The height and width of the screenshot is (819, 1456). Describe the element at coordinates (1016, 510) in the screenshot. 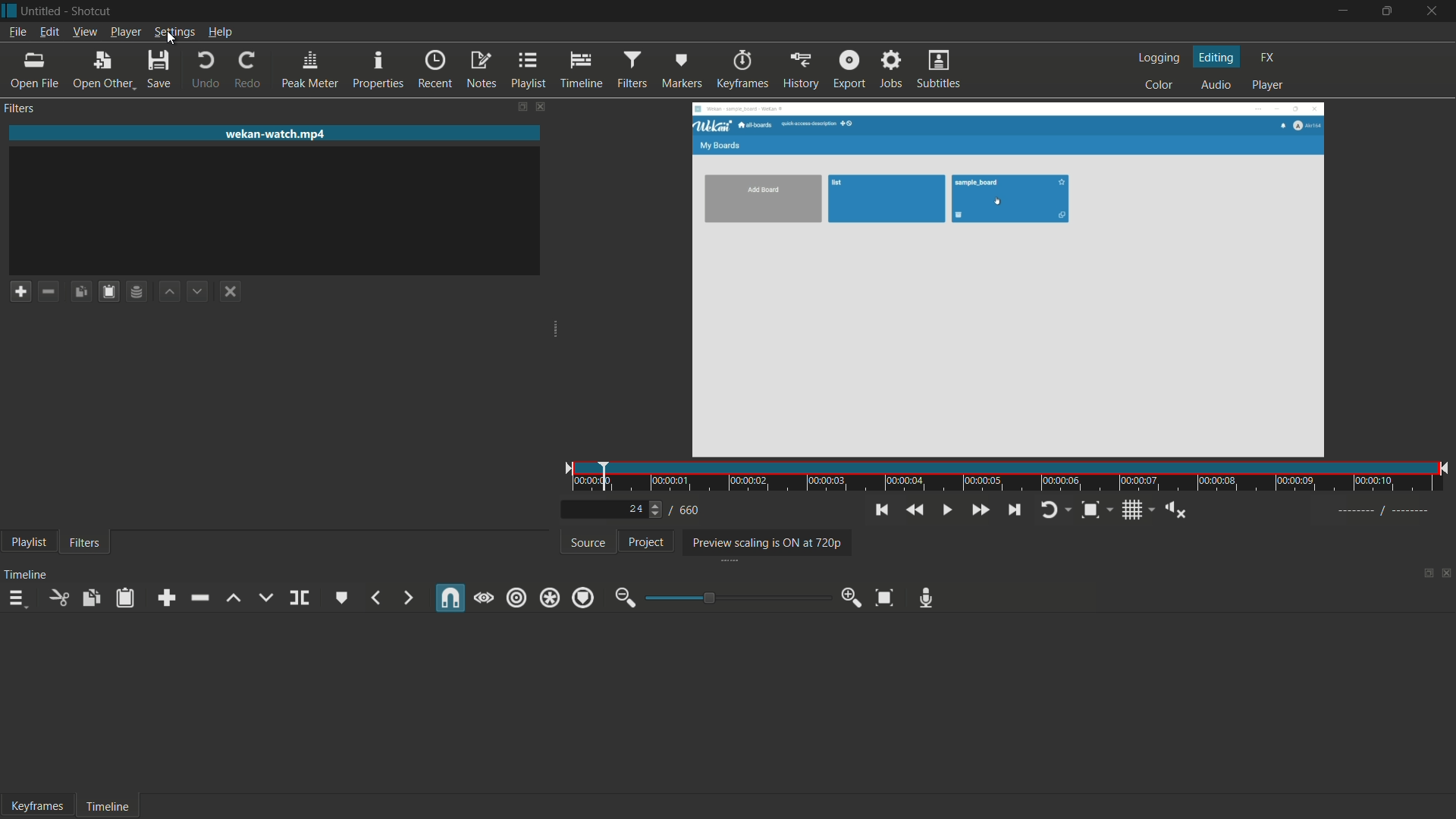

I see `skip to the next point` at that location.